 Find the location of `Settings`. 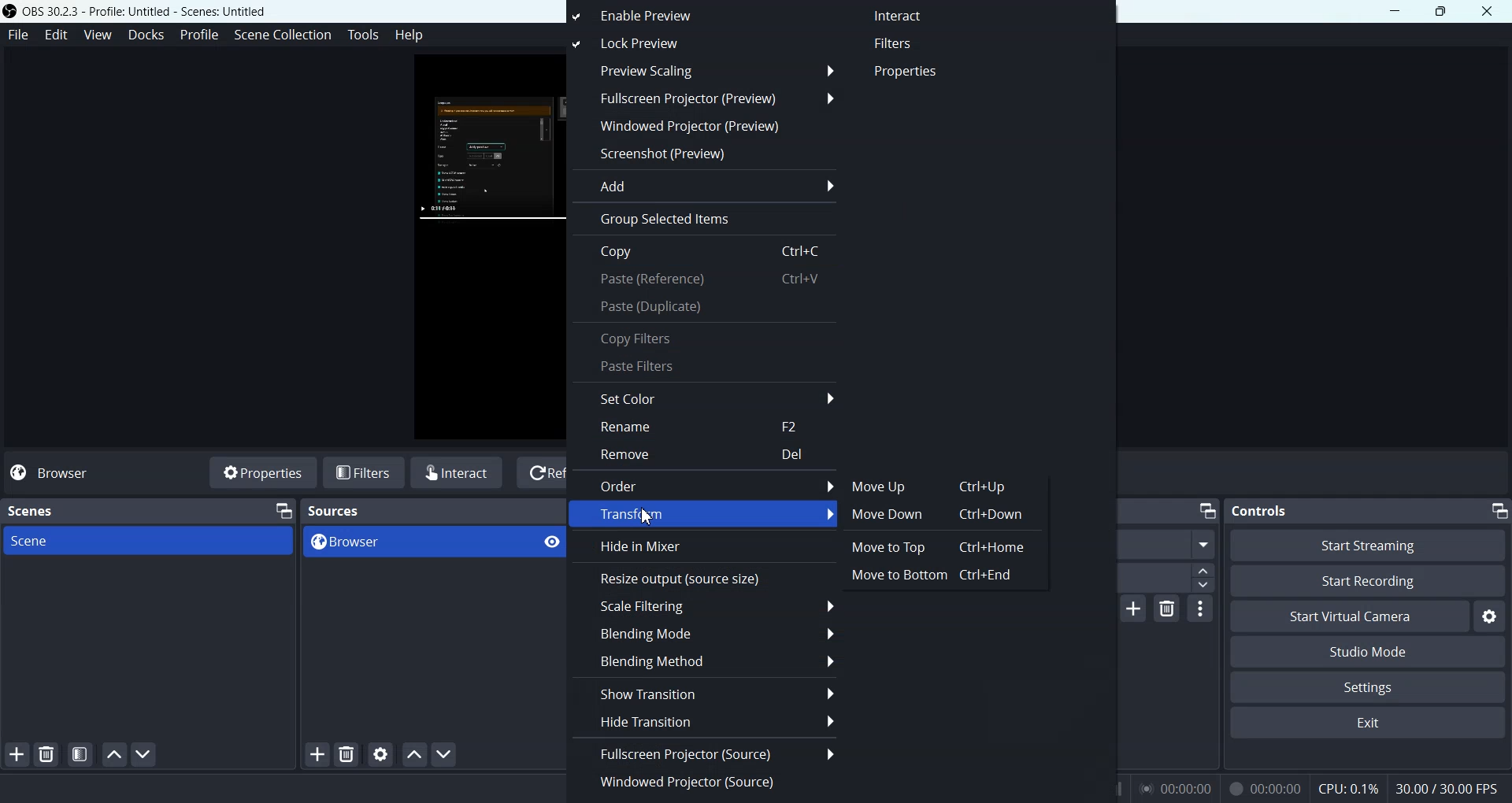

Settings is located at coordinates (1368, 686).